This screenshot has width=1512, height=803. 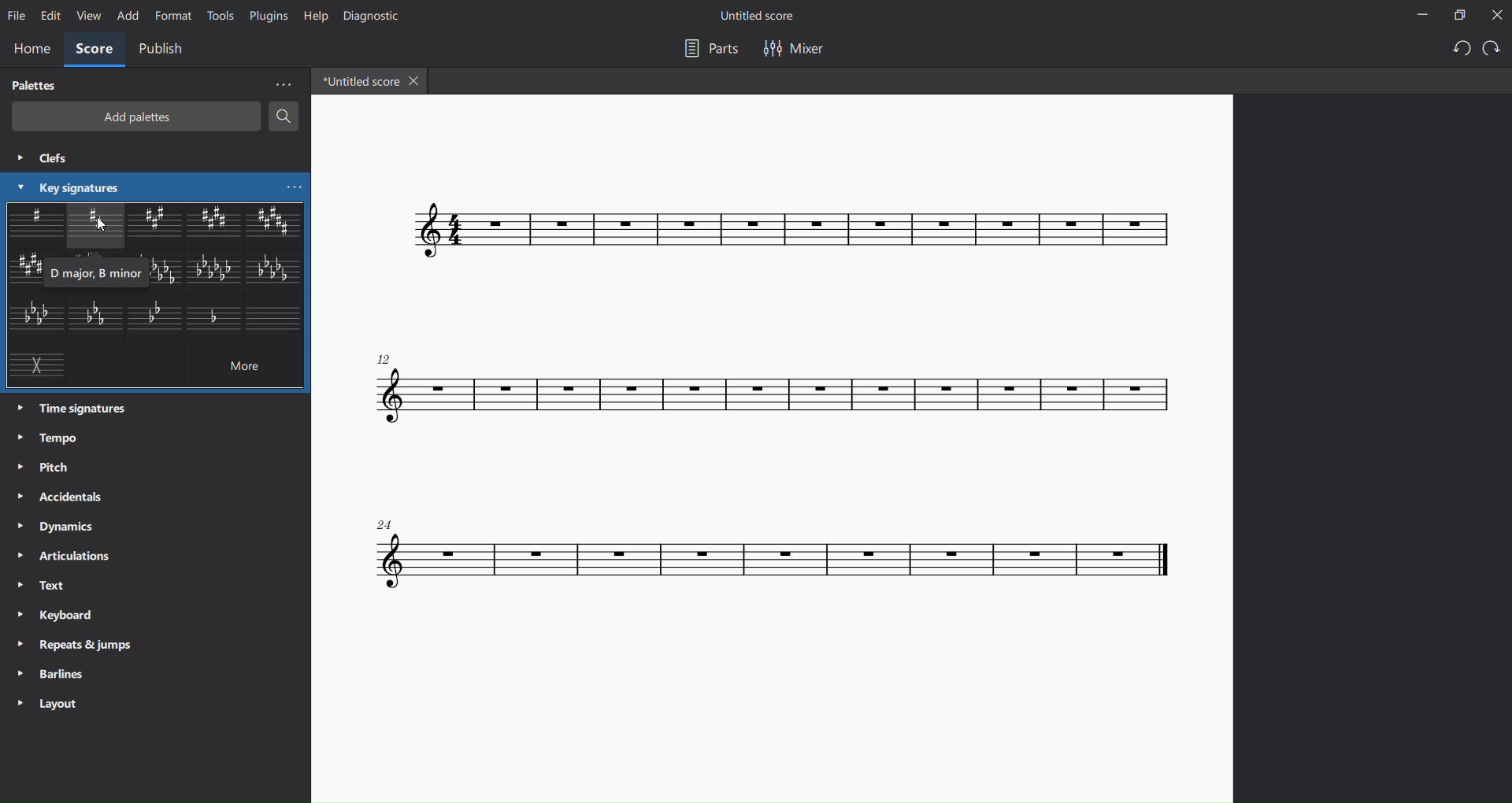 I want to click on concert, so click(x=773, y=442).